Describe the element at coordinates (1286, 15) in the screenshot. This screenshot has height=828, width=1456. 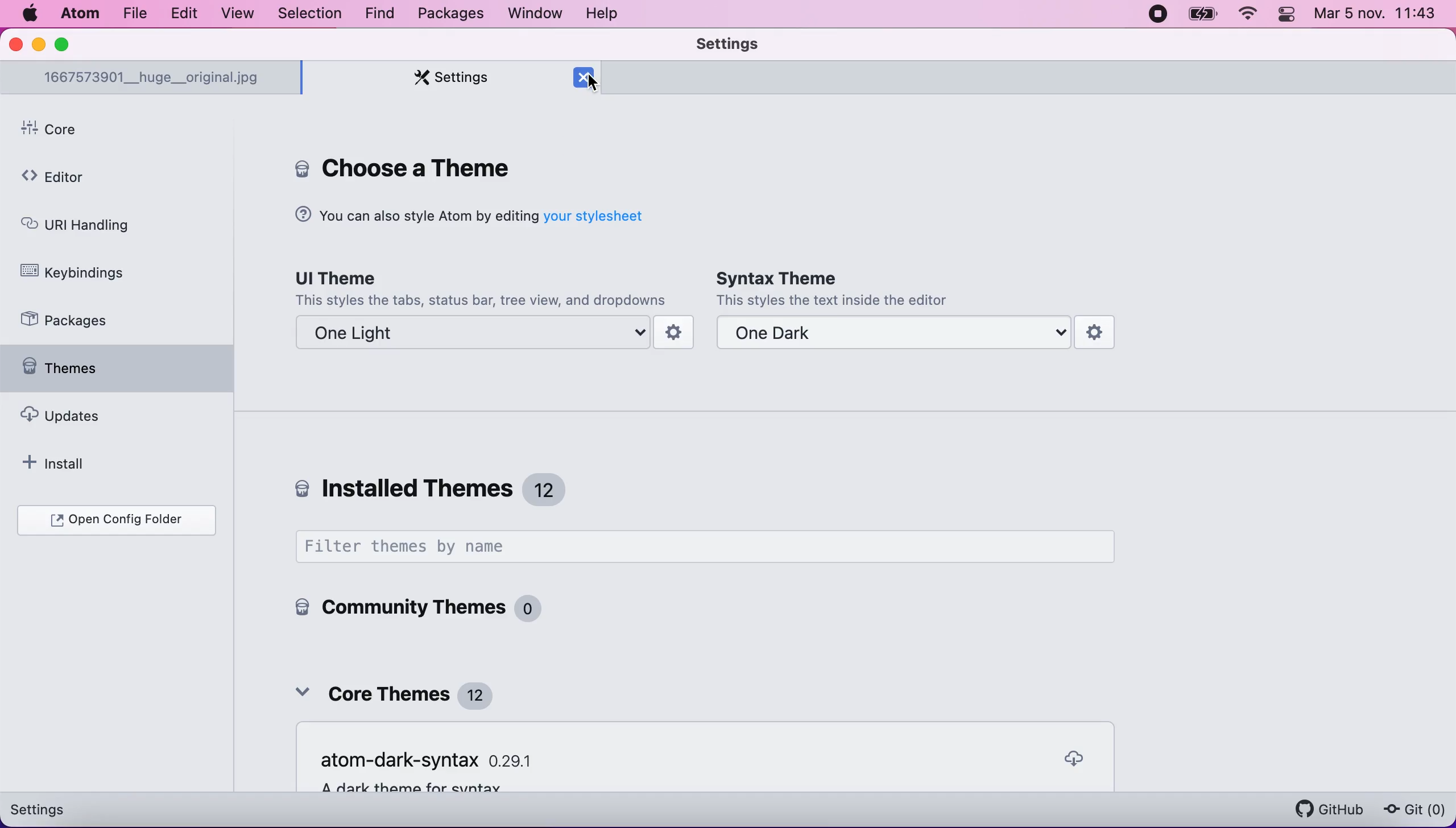
I see `panel control` at that location.